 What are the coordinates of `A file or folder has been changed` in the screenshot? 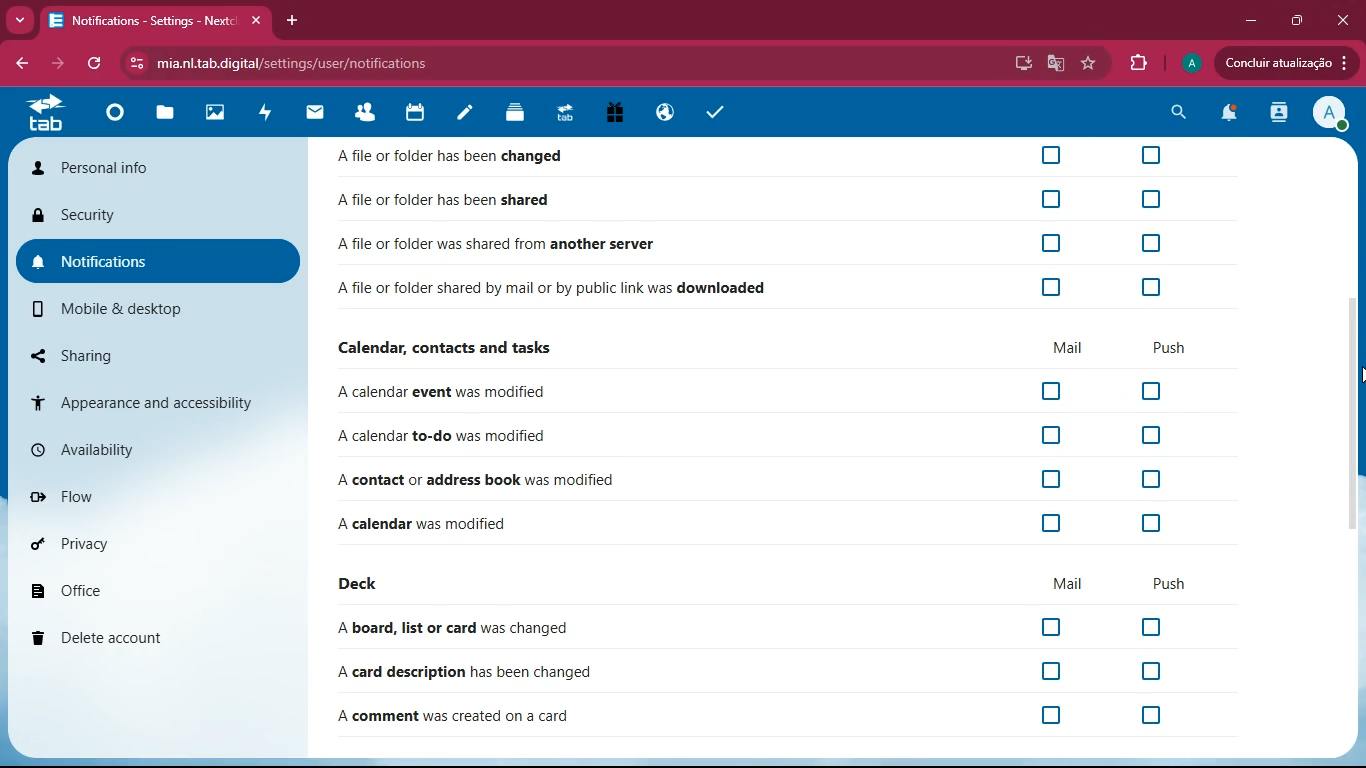 It's located at (521, 159).